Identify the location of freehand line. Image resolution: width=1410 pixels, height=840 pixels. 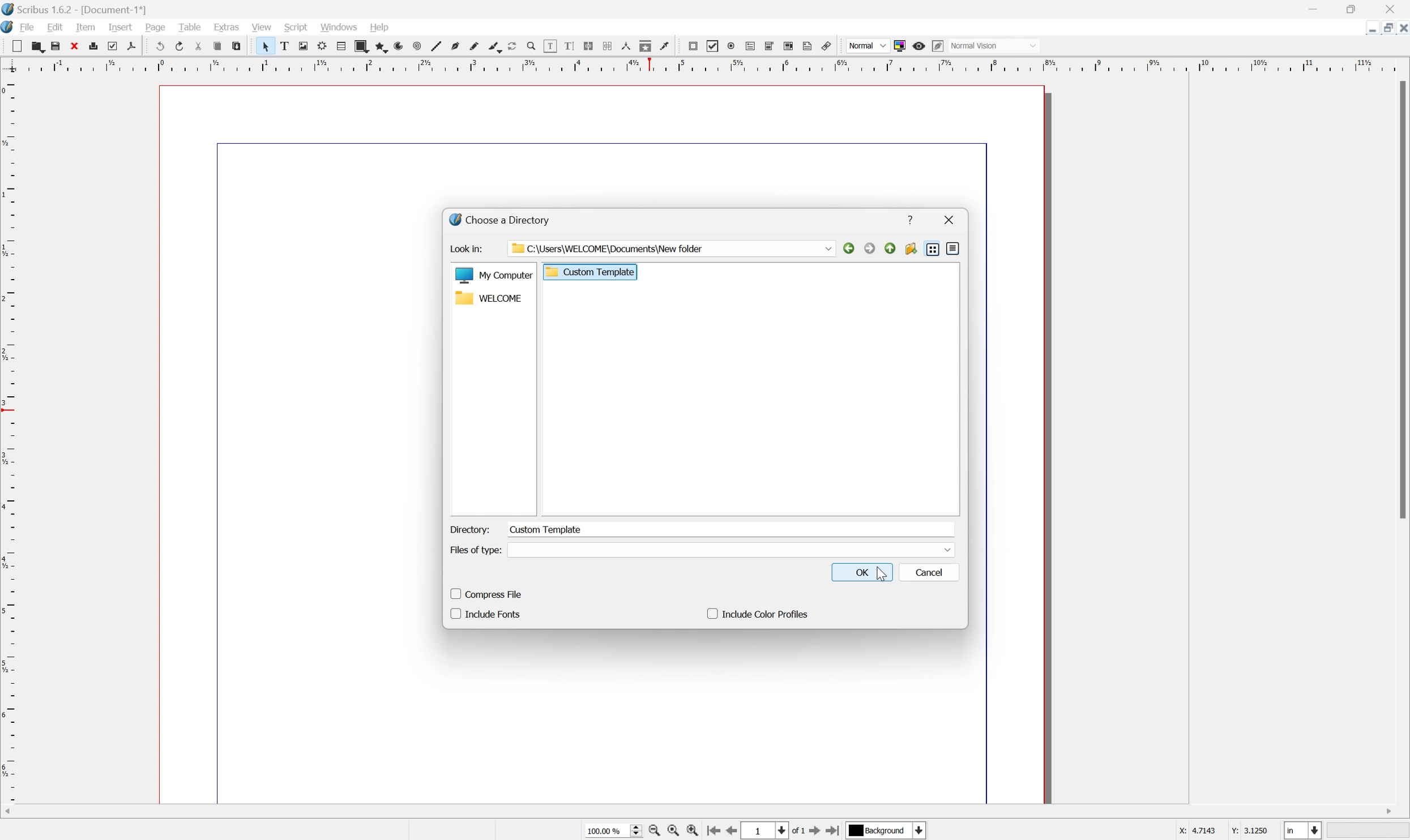
(477, 45).